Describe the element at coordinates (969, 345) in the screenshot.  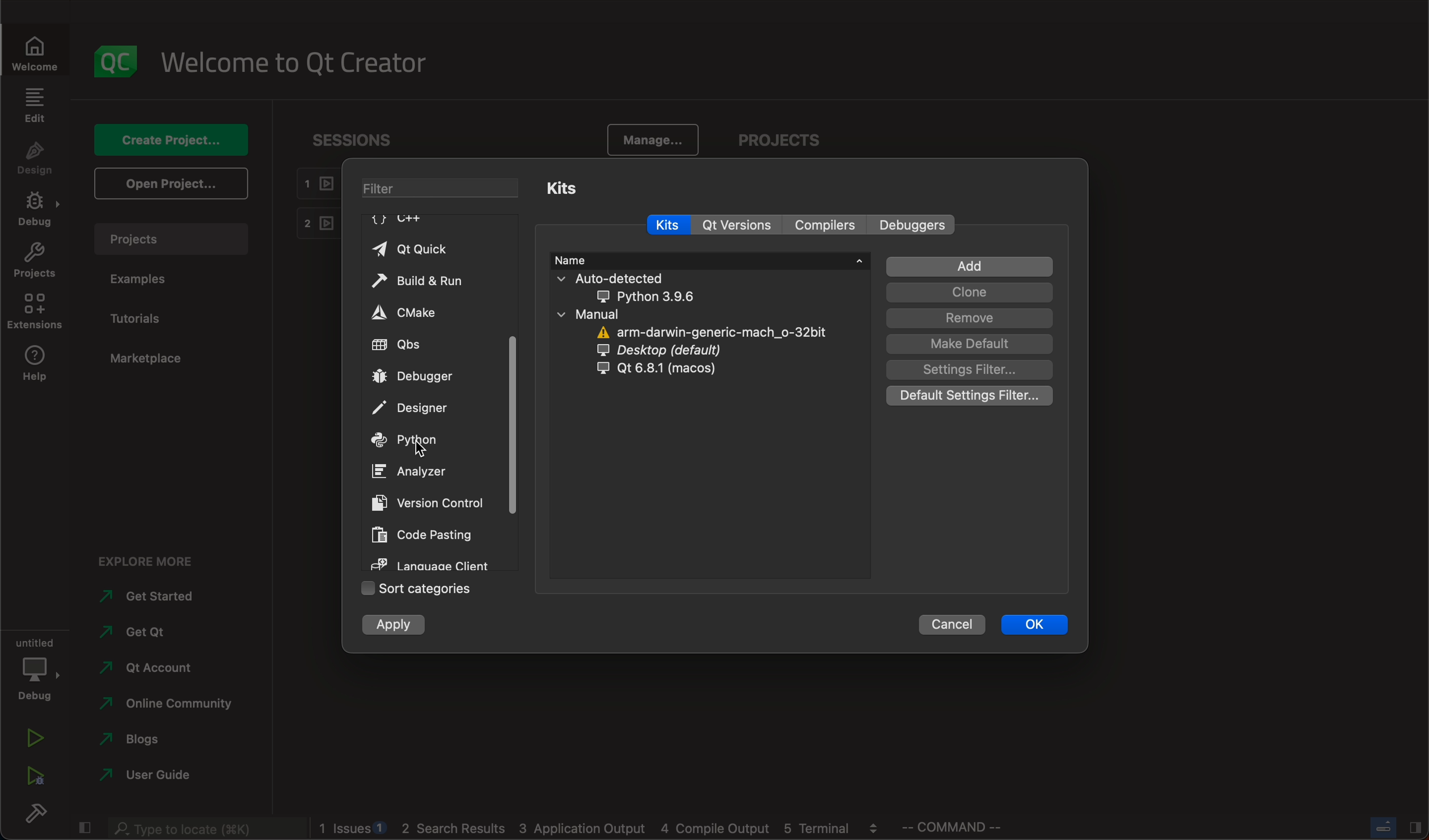
I see `make default` at that location.